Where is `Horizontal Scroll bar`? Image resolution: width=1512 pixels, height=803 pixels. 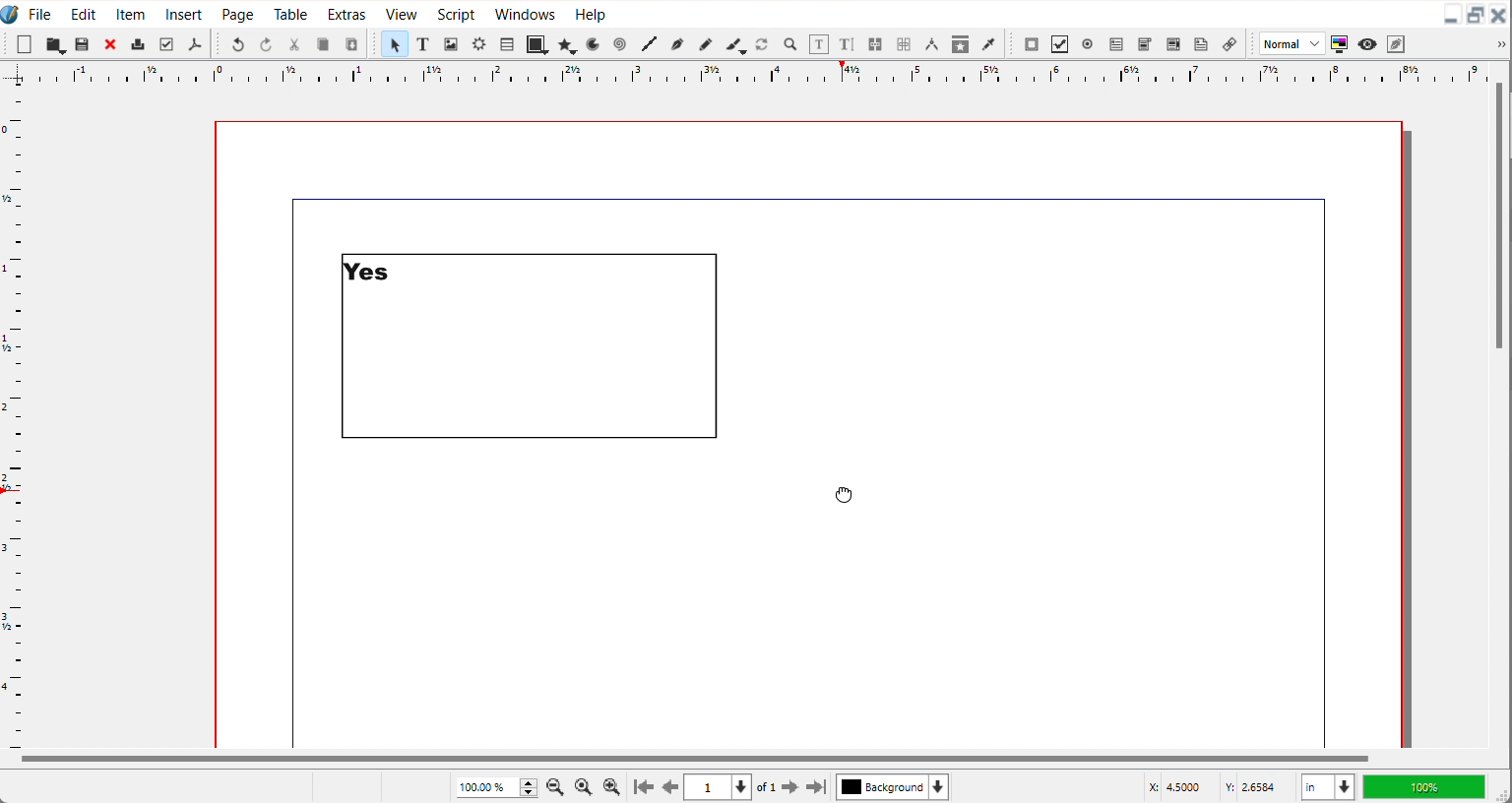 Horizontal Scroll bar is located at coordinates (692, 759).